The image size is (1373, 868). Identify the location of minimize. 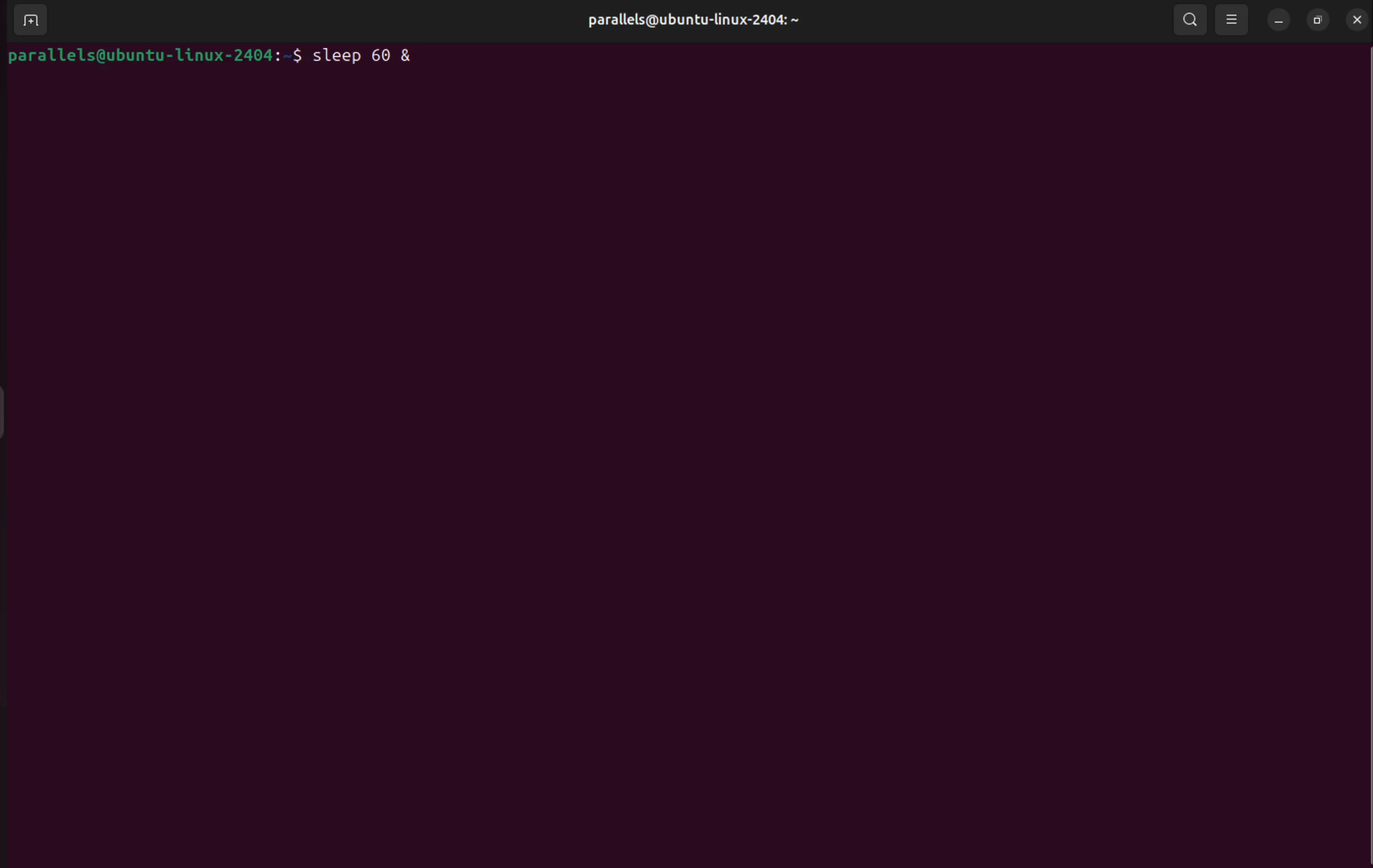
(1279, 21).